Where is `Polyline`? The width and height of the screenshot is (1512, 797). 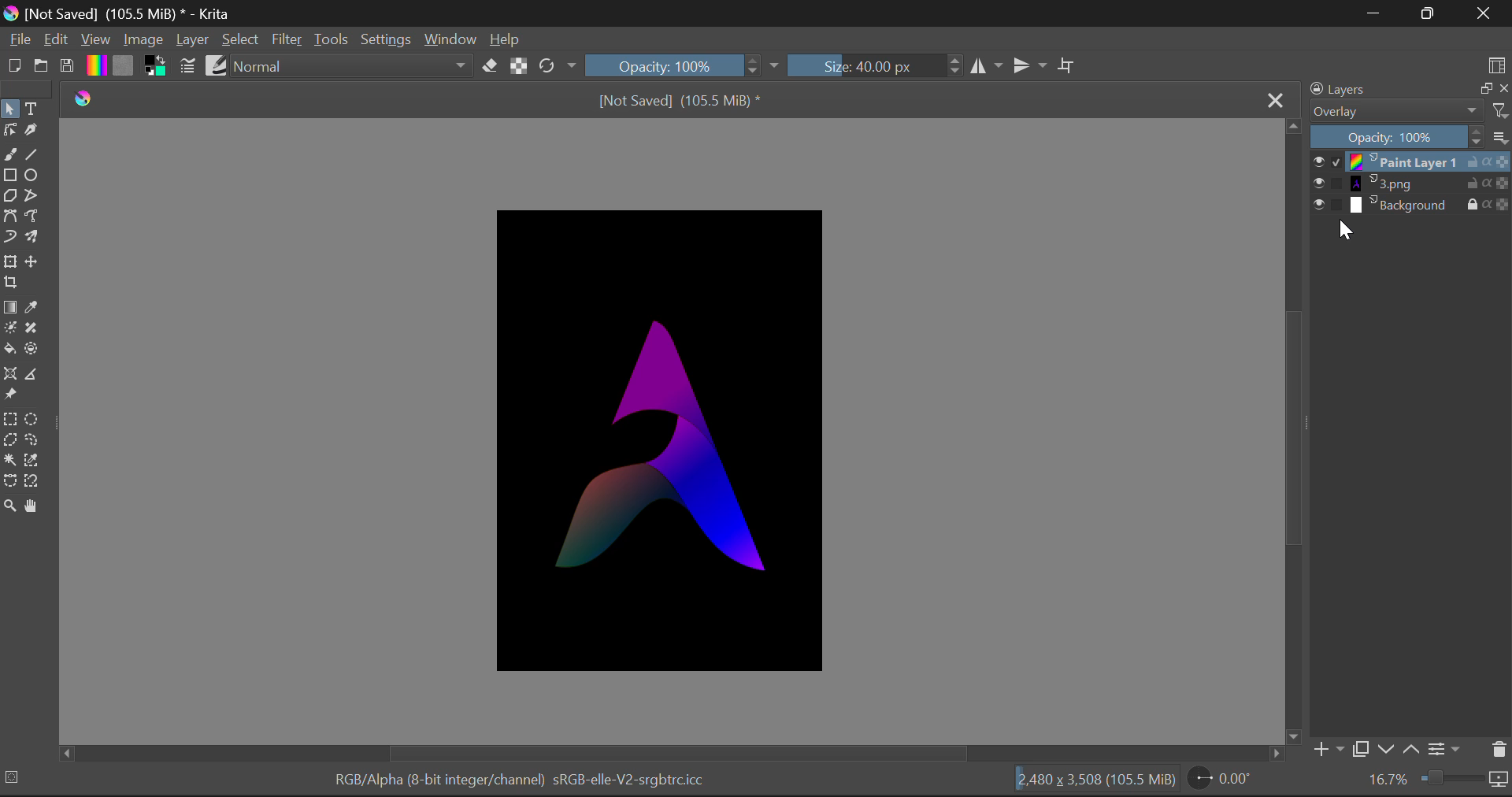 Polyline is located at coordinates (34, 196).